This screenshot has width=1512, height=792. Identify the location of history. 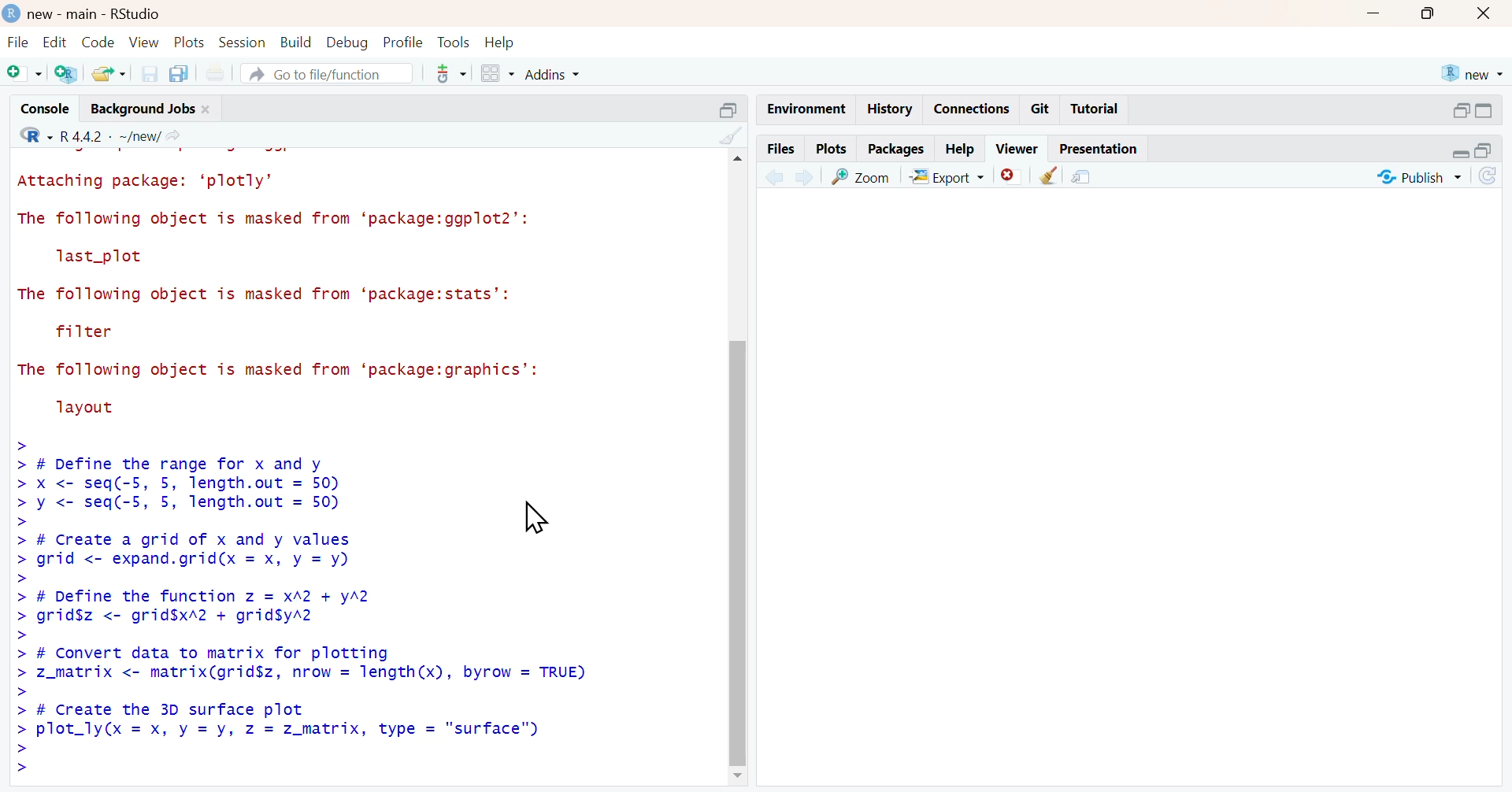
(888, 109).